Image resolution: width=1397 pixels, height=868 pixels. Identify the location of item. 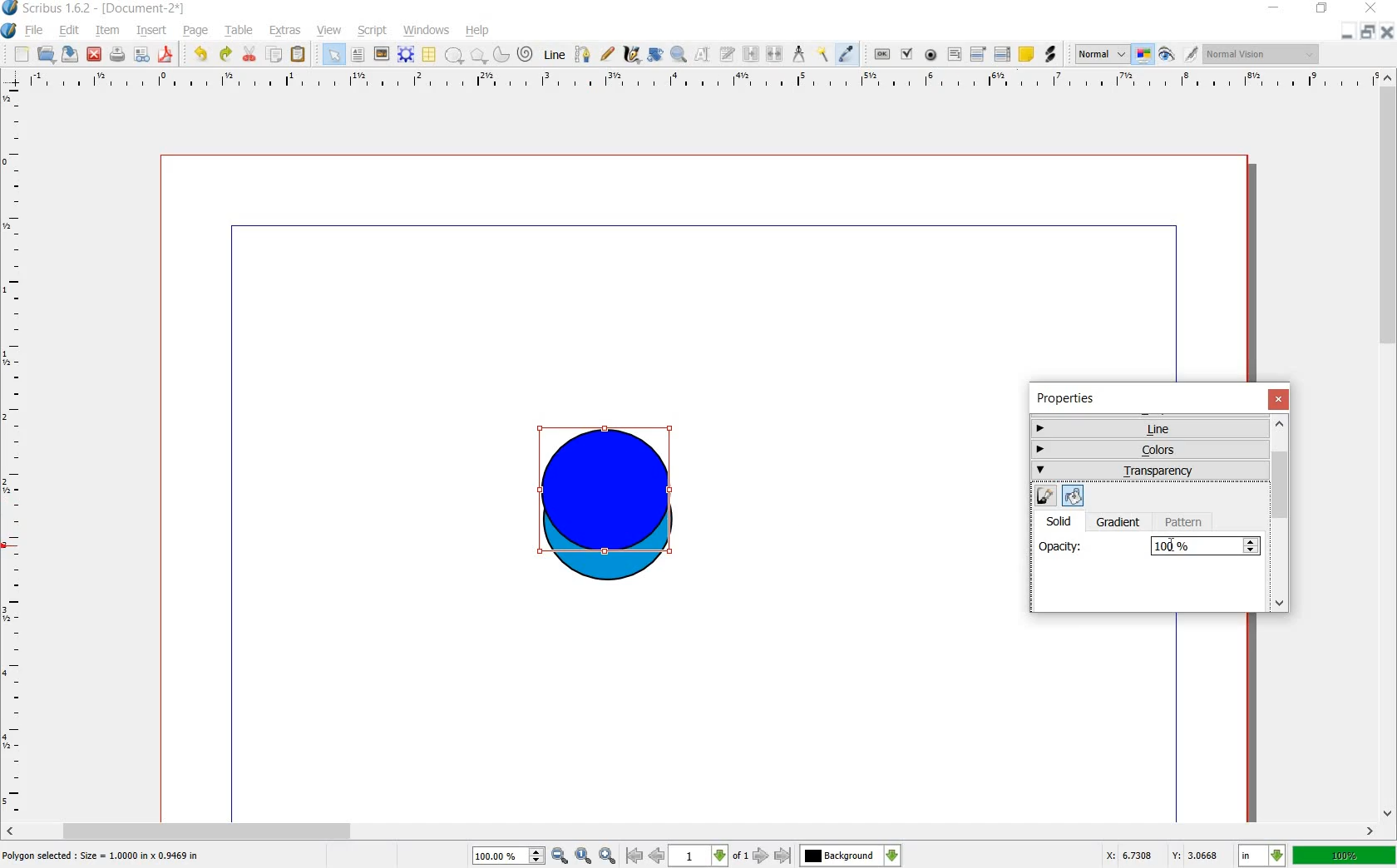
(108, 31).